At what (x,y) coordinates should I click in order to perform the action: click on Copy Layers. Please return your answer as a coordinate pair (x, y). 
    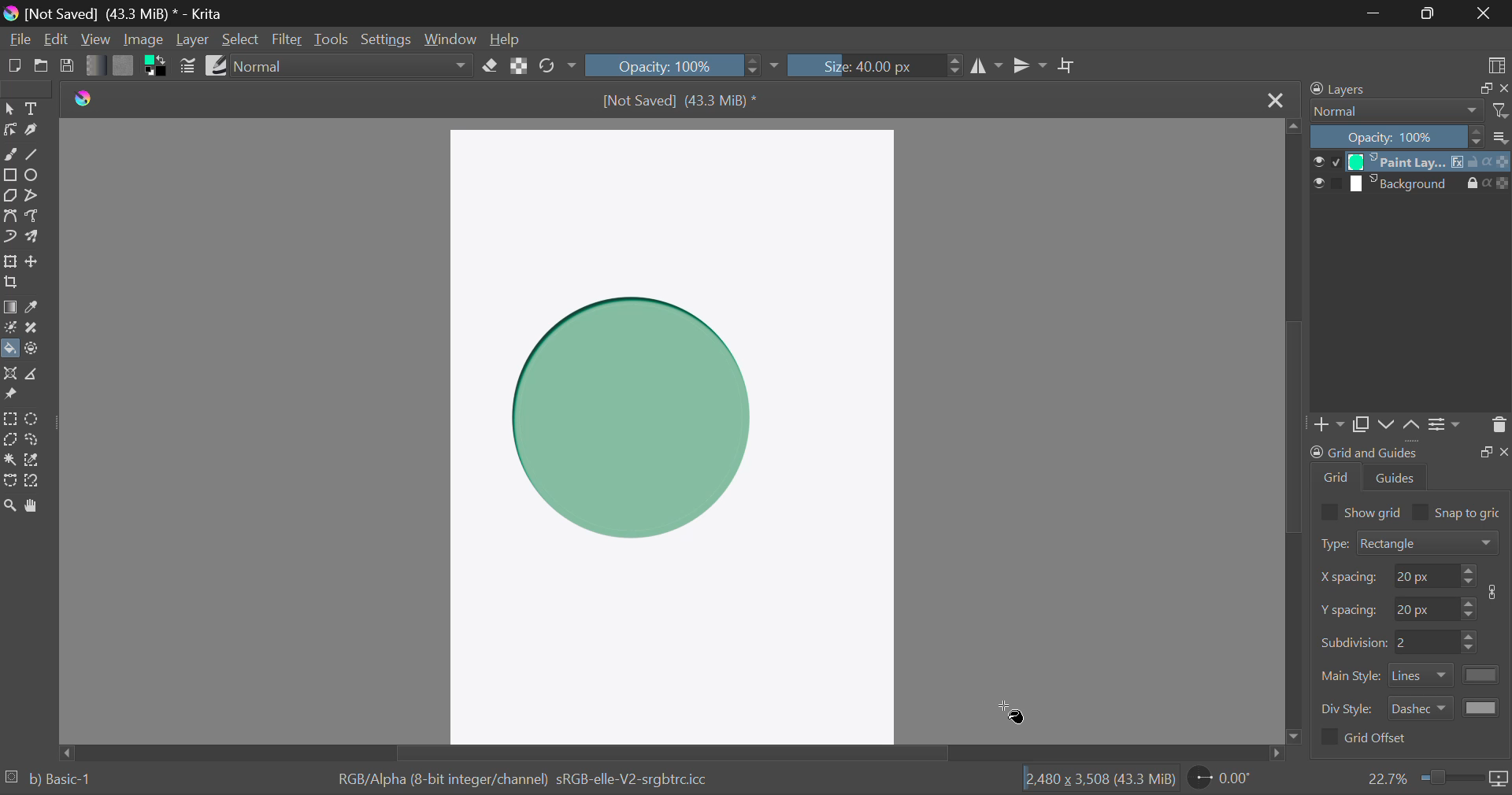
    Looking at the image, I should click on (1362, 425).